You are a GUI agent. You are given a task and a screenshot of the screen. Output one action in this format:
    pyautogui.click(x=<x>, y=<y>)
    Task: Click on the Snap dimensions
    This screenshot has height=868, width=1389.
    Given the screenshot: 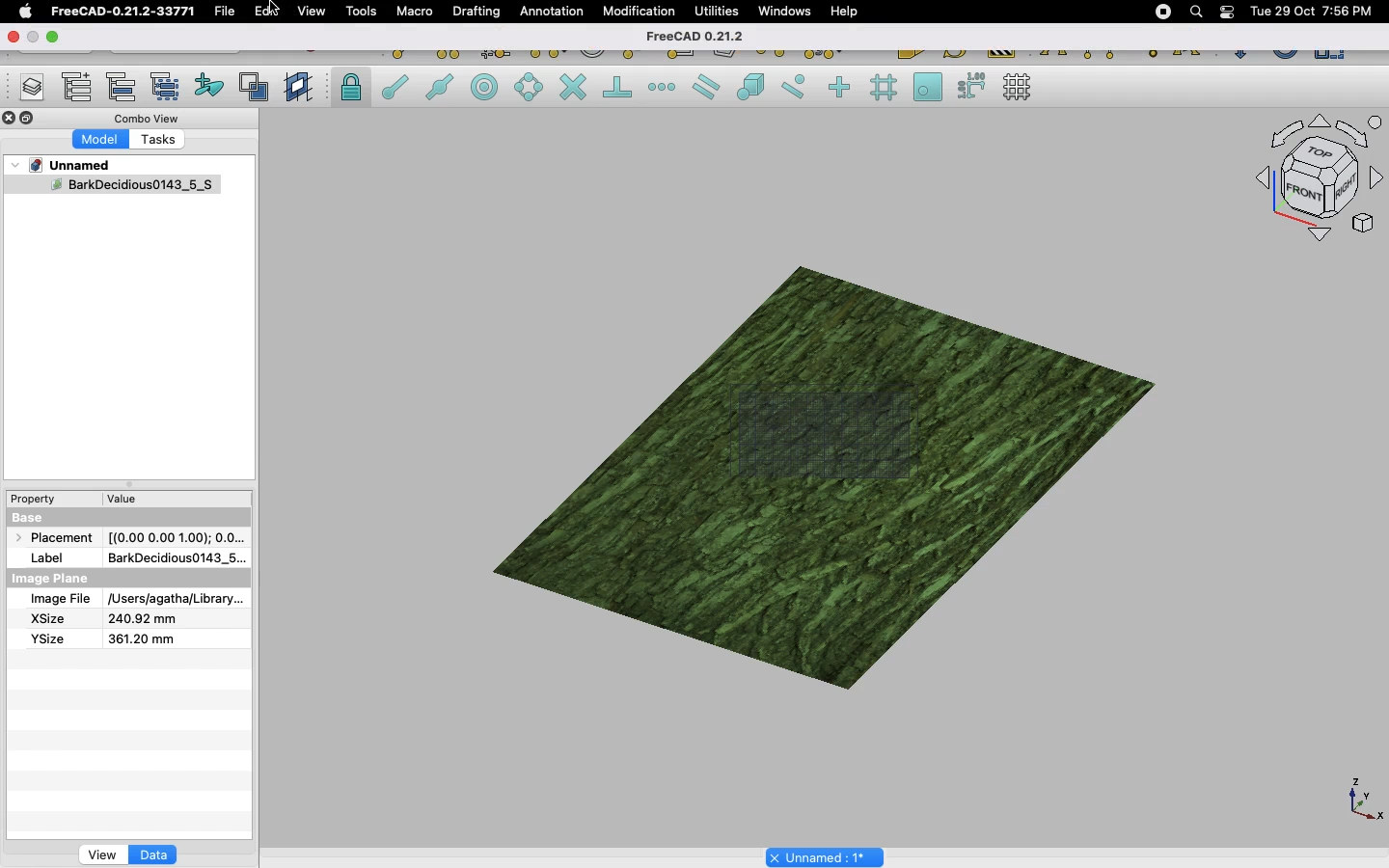 What is the action you would take?
    pyautogui.click(x=972, y=87)
    